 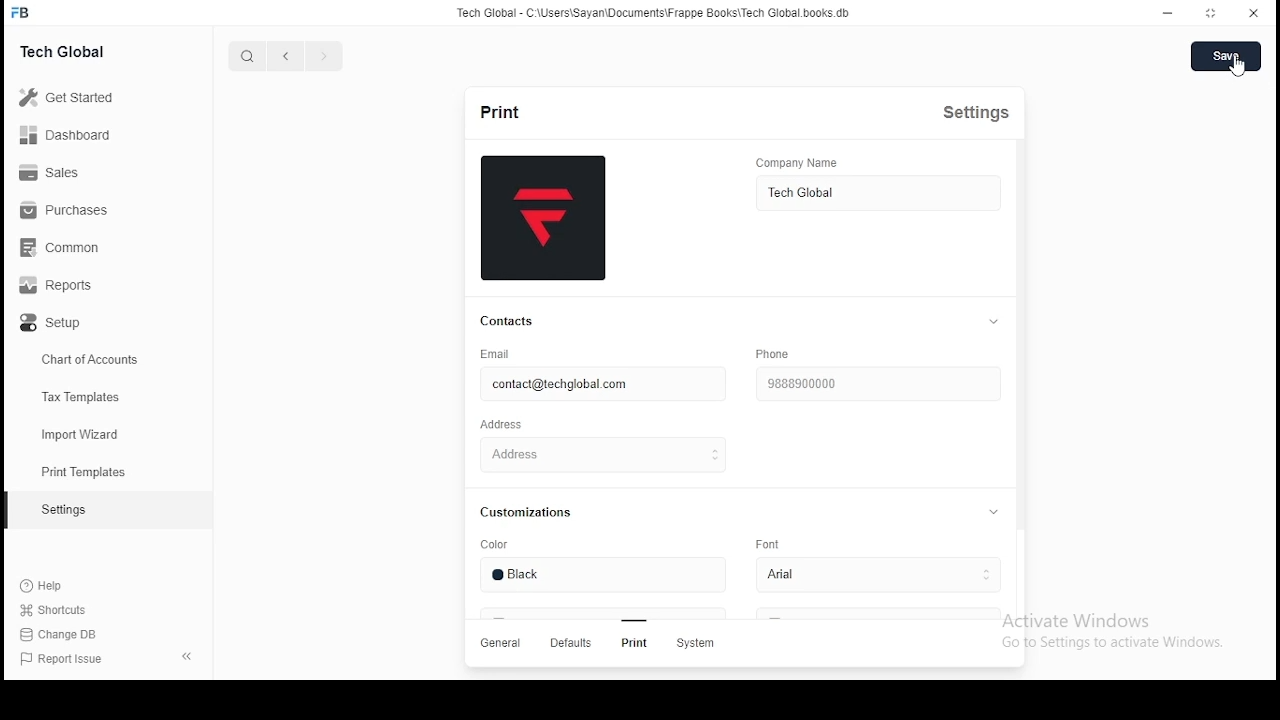 What do you see at coordinates (82, 433) in the screenshot?
I see `import wizard ` at bounding box center [82, 433].